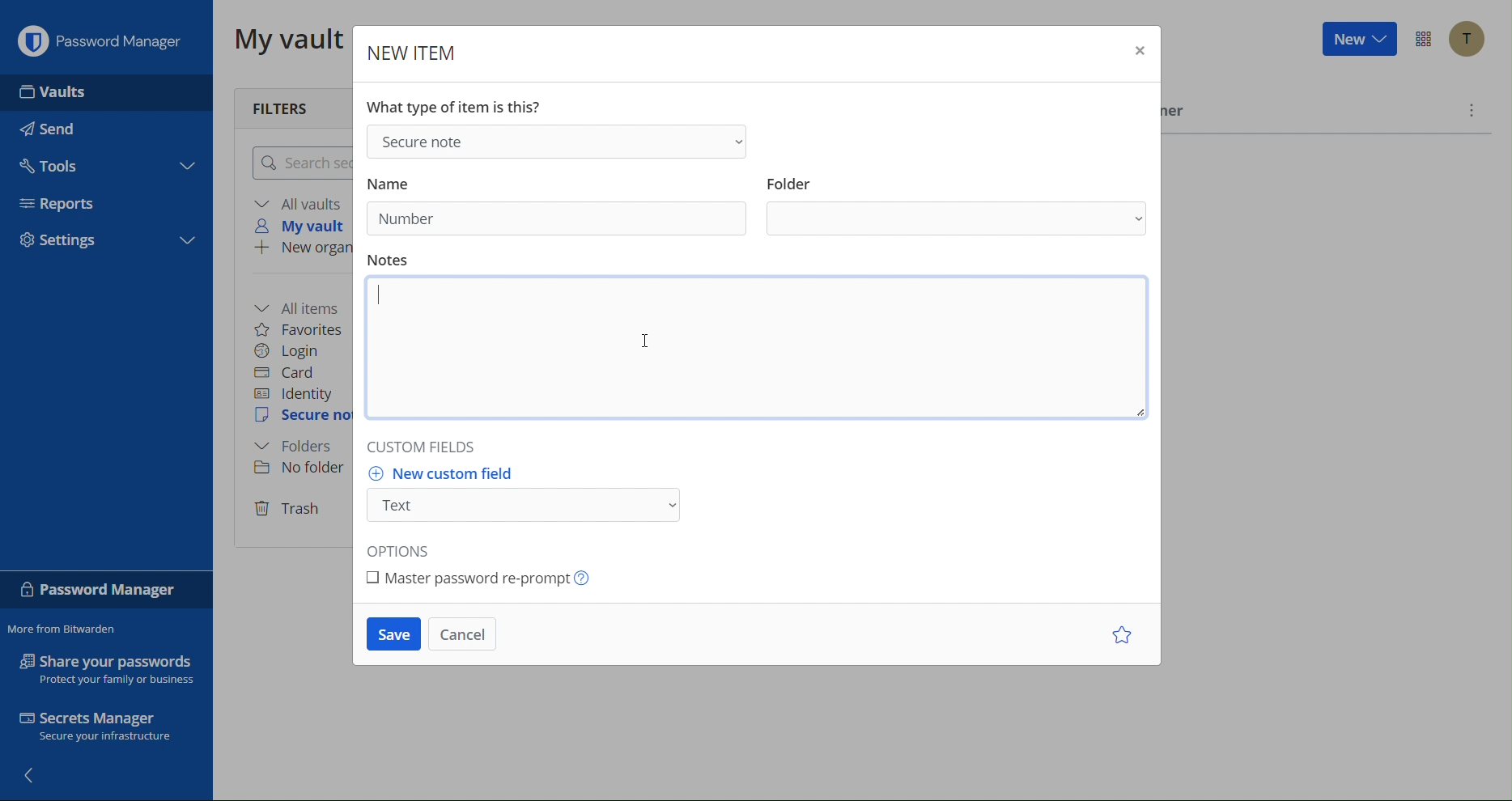  What do you see at coordinates (1357, 41) in the screenshot?
I see `New` at bounding box center [1357, 41].